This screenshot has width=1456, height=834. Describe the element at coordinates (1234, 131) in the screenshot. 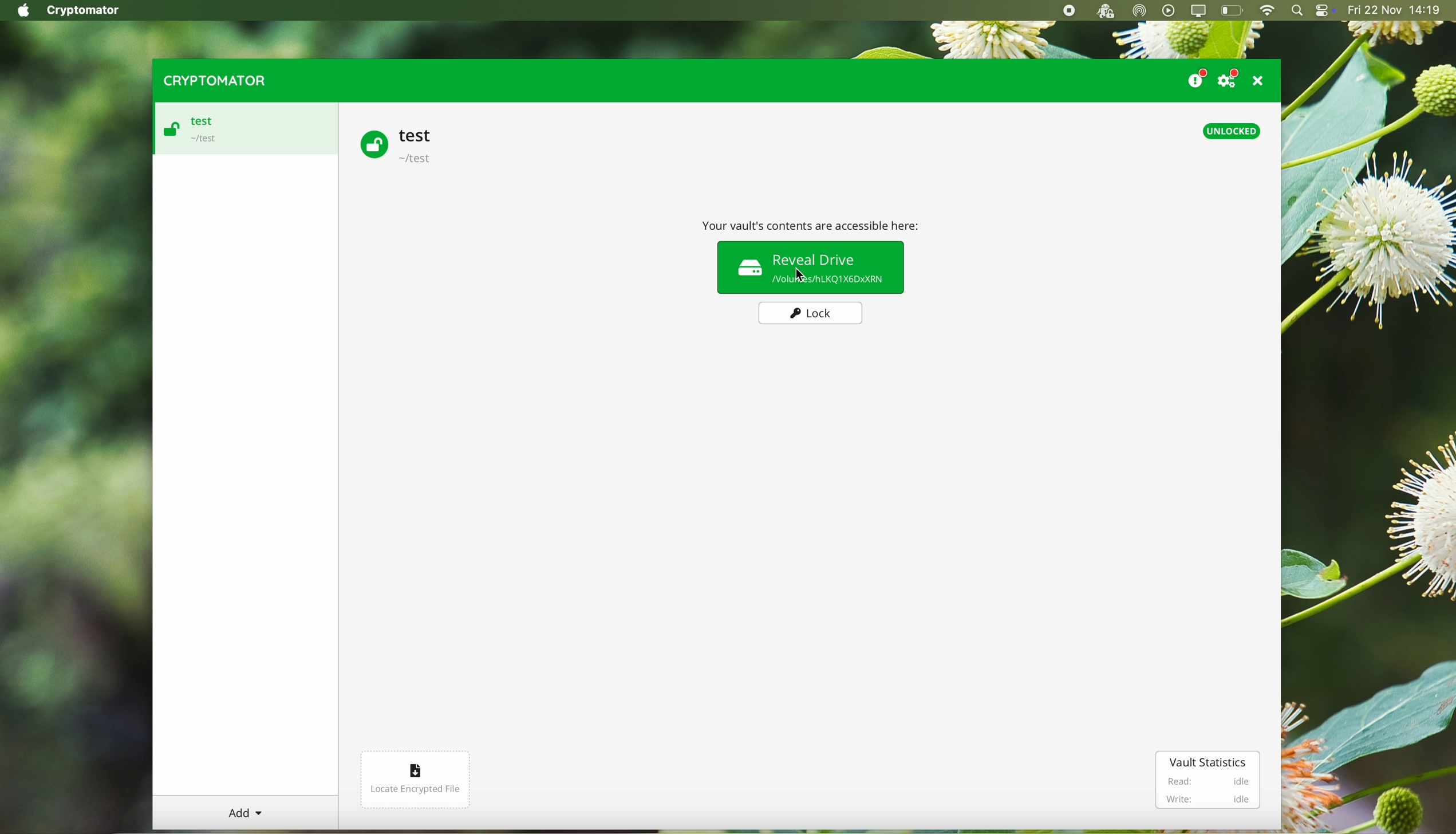

I see `unlocked` at that location.